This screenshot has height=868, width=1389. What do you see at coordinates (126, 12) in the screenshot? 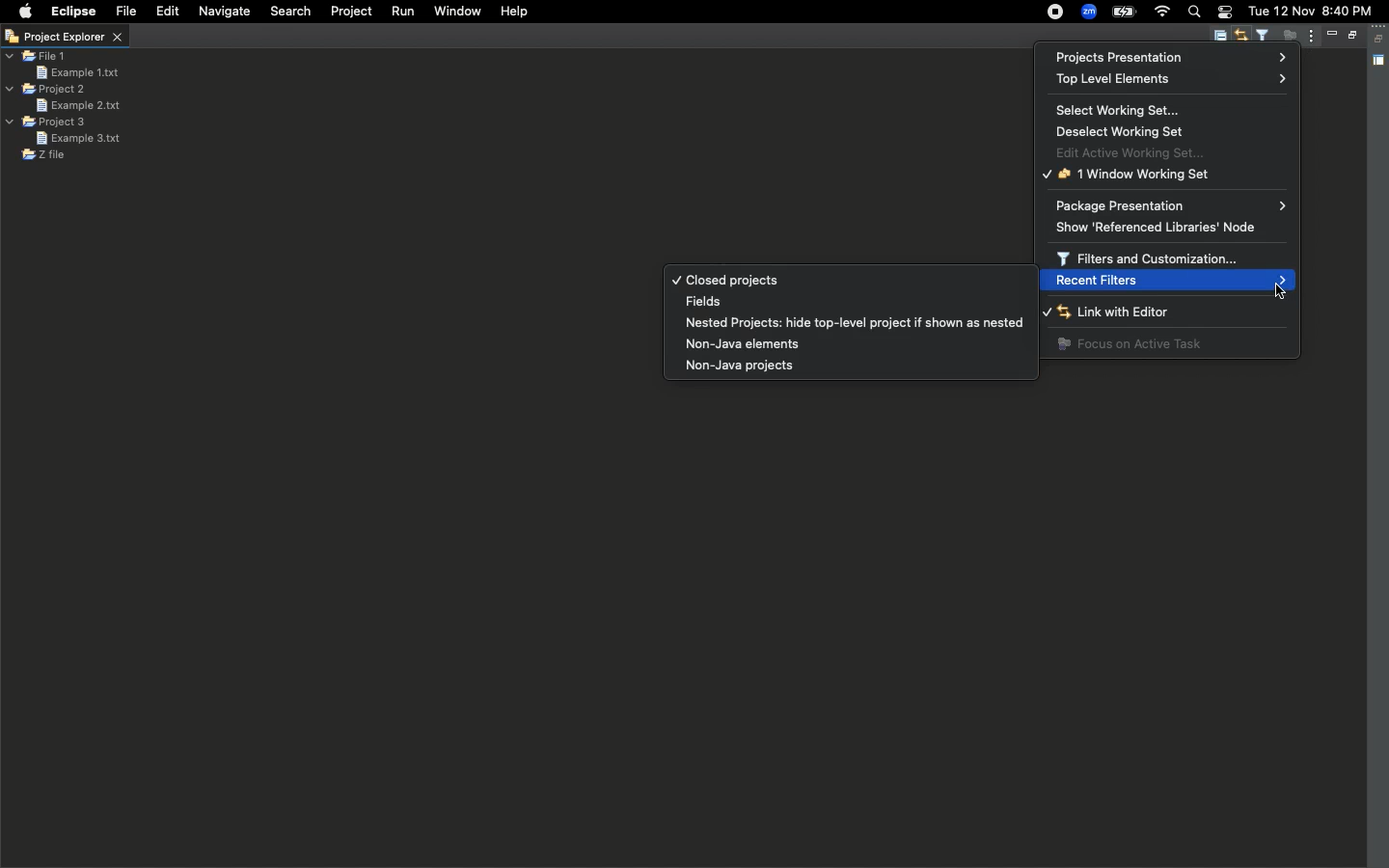
I see `File` at bounding box center [126, 12].